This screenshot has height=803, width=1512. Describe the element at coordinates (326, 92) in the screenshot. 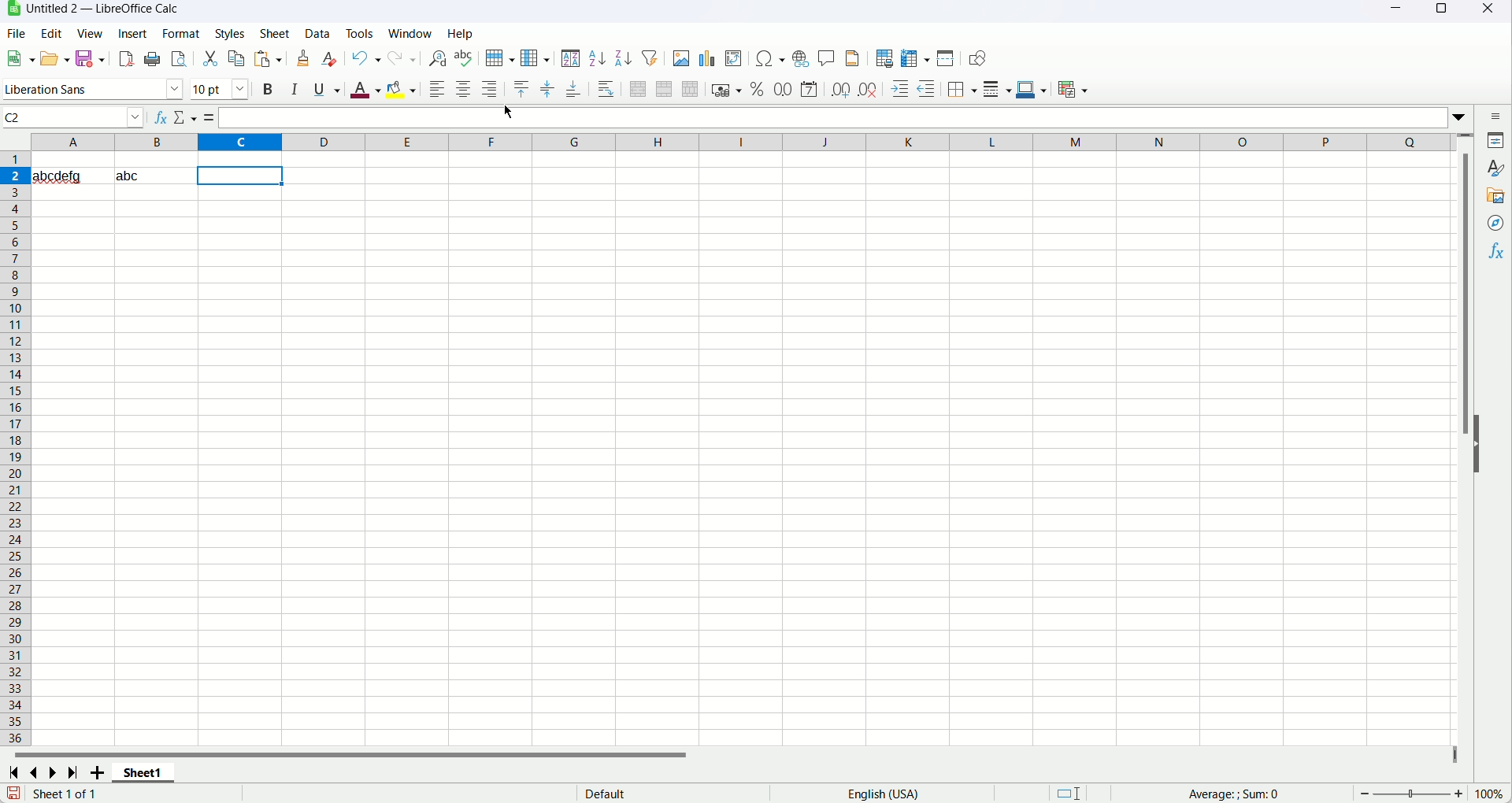

I see `underline` at that location.